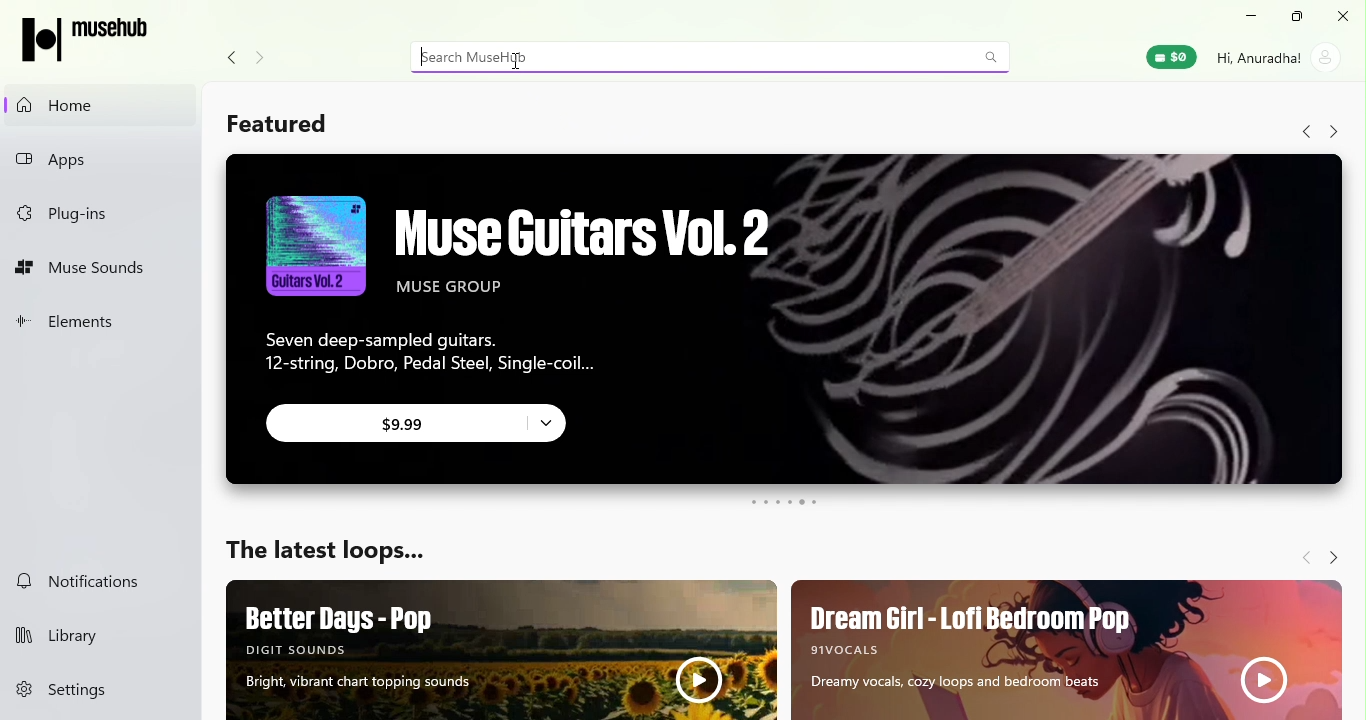 This screenshot has height=720, width=1366. What do you see at coordinates (1333, 132) in the screenshot?
I see `Navigate forward` at bounding box center [1333, 132].